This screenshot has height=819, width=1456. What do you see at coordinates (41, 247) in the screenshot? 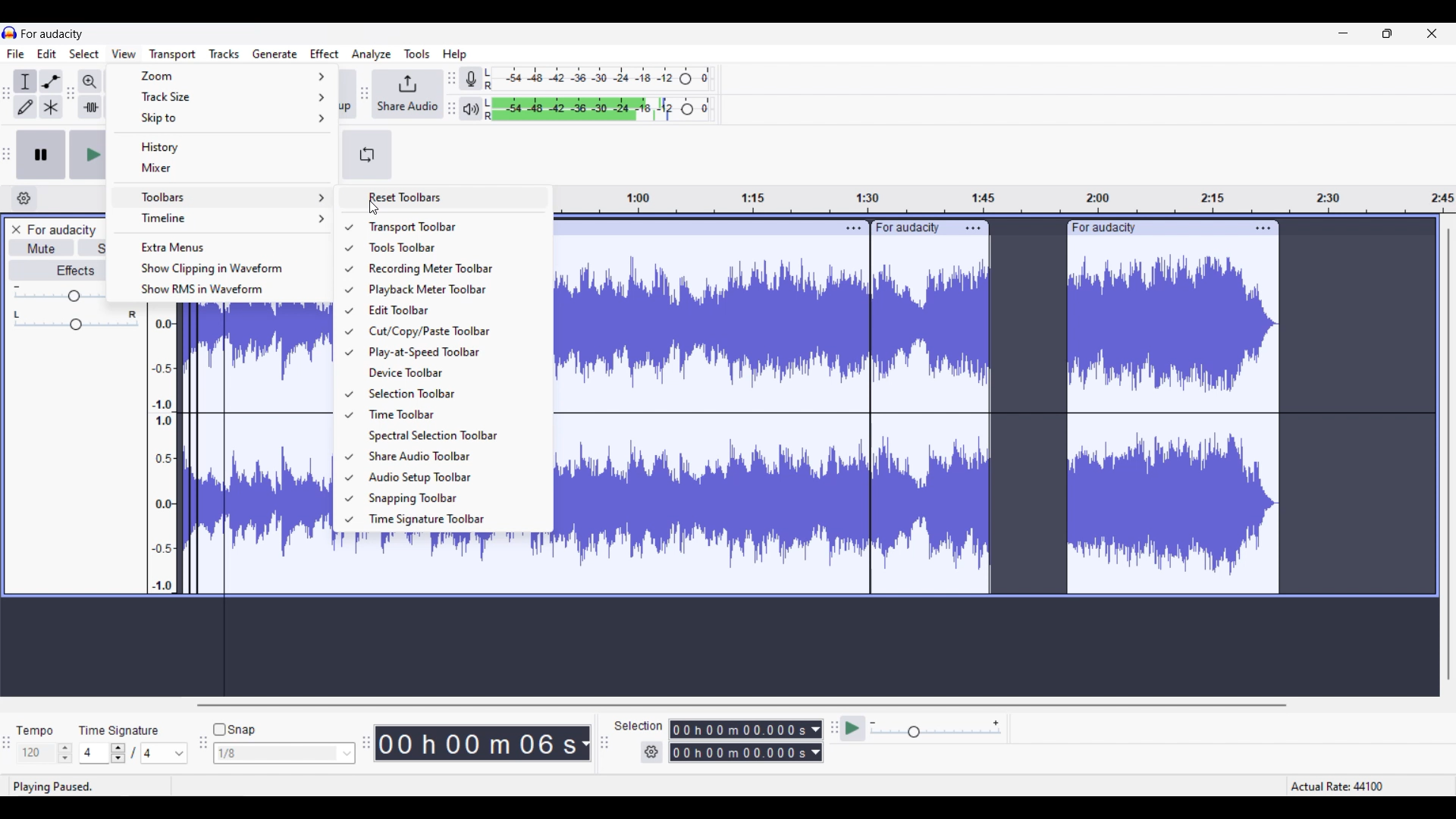
I see `Mute` at bounding box center [41, 247].